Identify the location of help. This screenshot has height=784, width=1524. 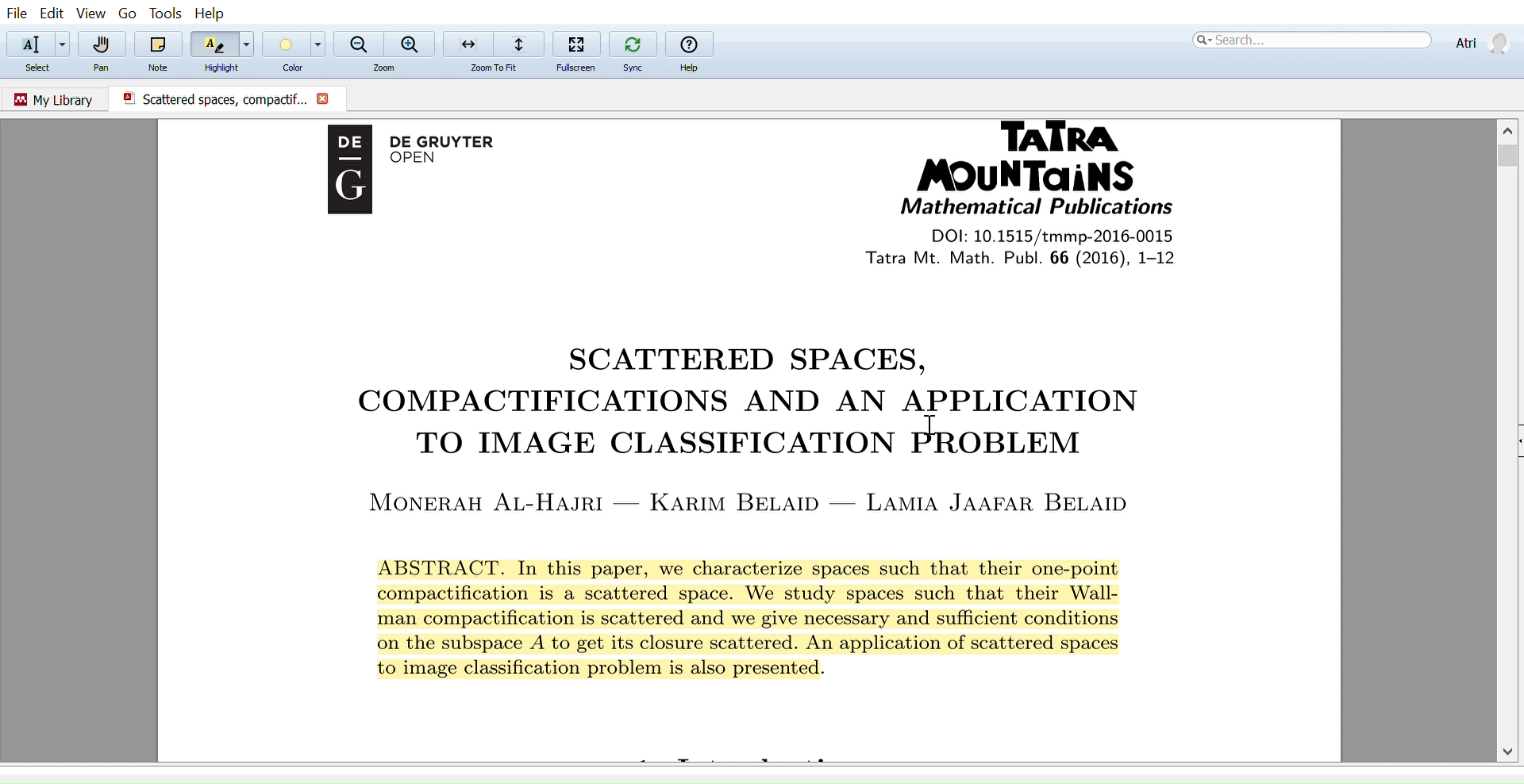
(689, 44).